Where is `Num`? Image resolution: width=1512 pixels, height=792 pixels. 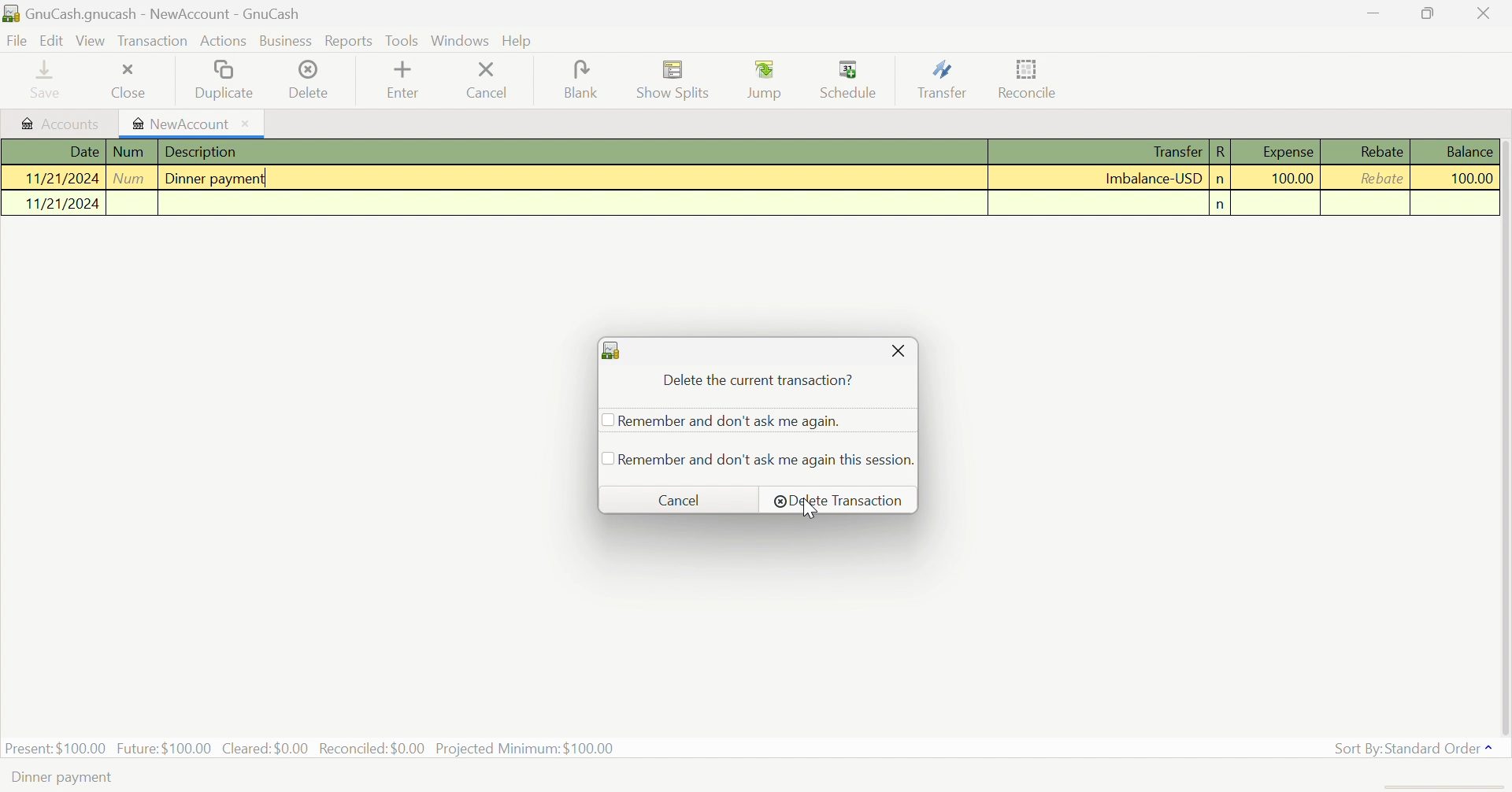
Num is located at coordinates (128, 151).